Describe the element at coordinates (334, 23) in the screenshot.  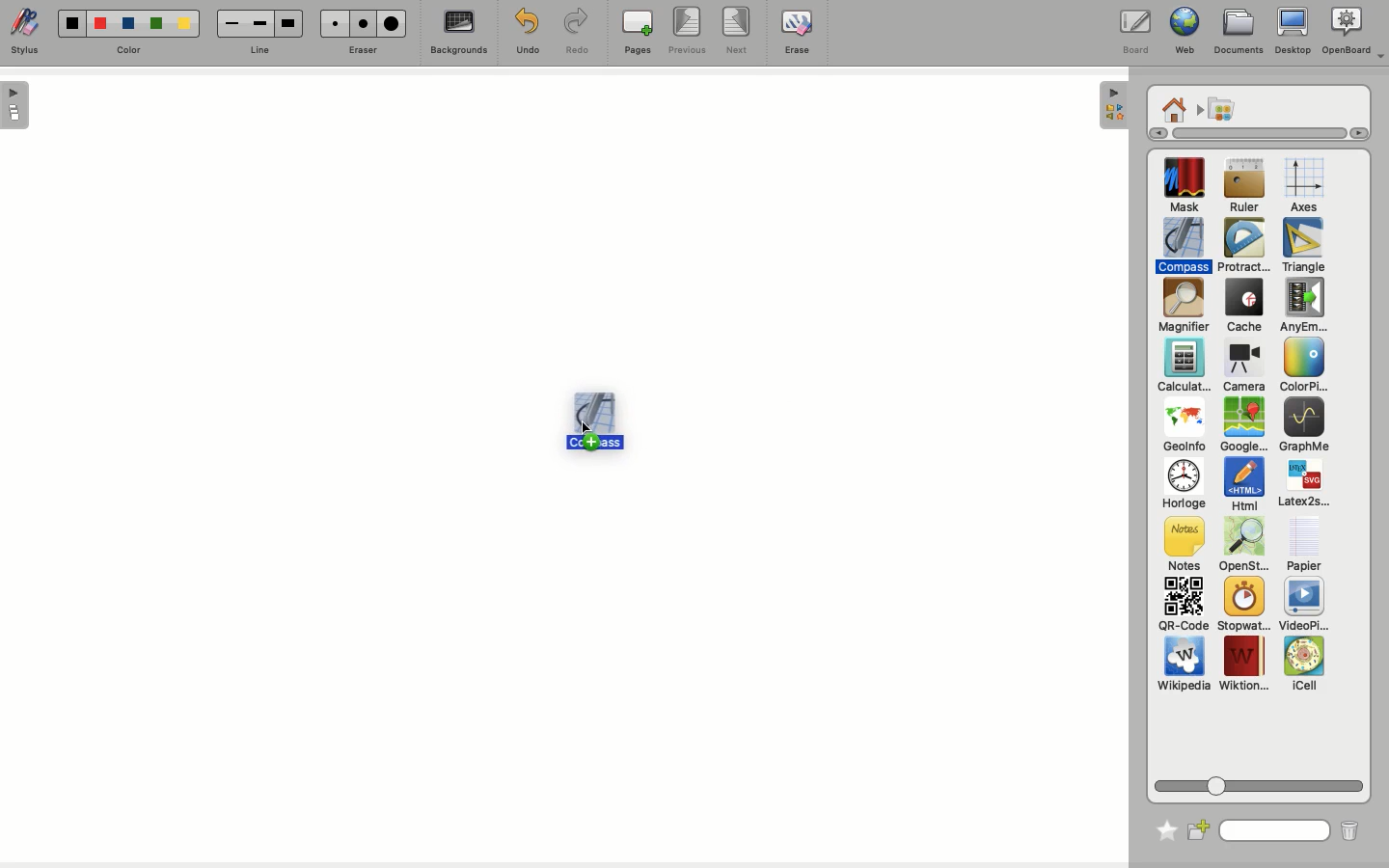
I see `eraser1` at that location.